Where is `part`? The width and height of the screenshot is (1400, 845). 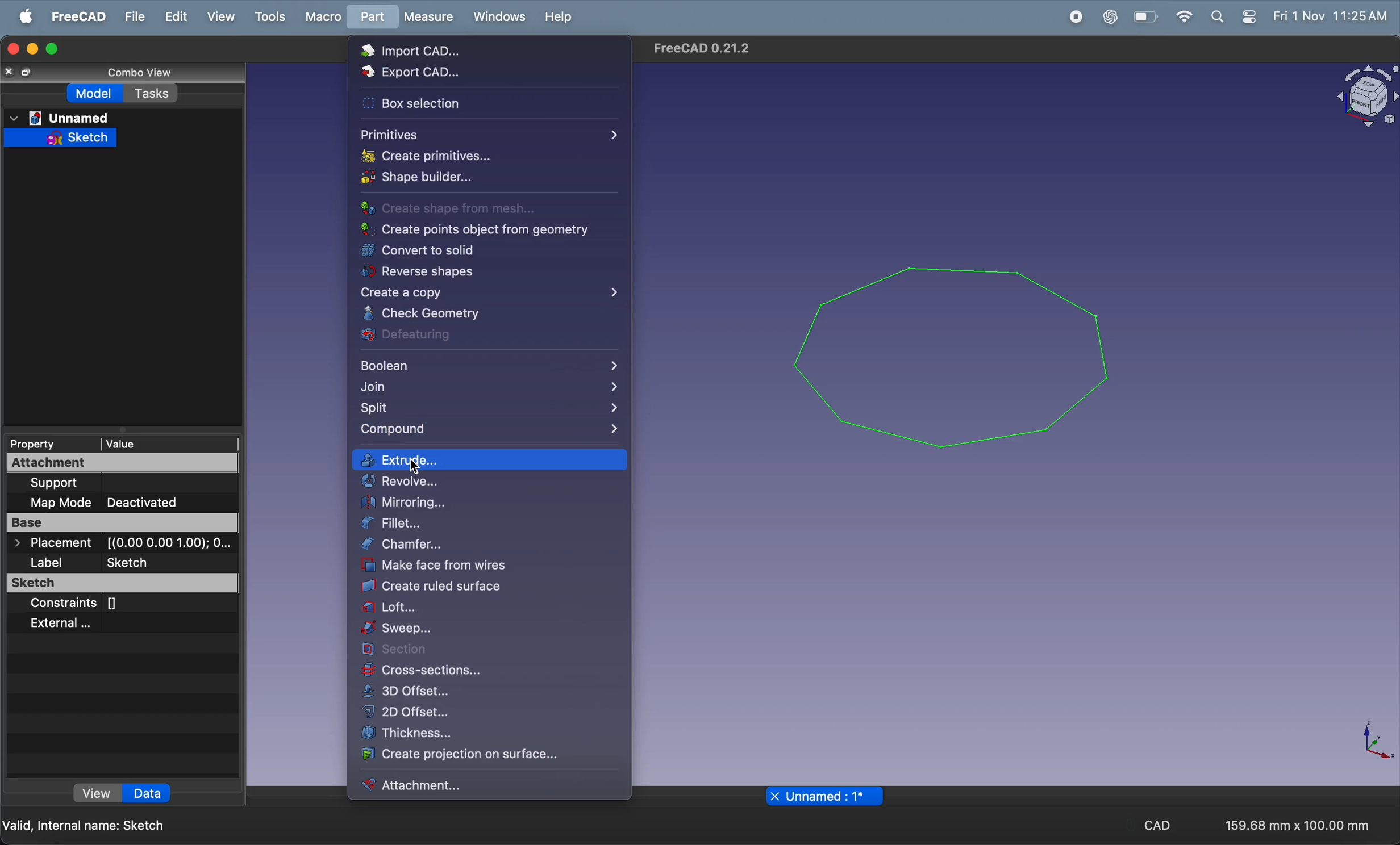
part is located at coordinates (370, 18).